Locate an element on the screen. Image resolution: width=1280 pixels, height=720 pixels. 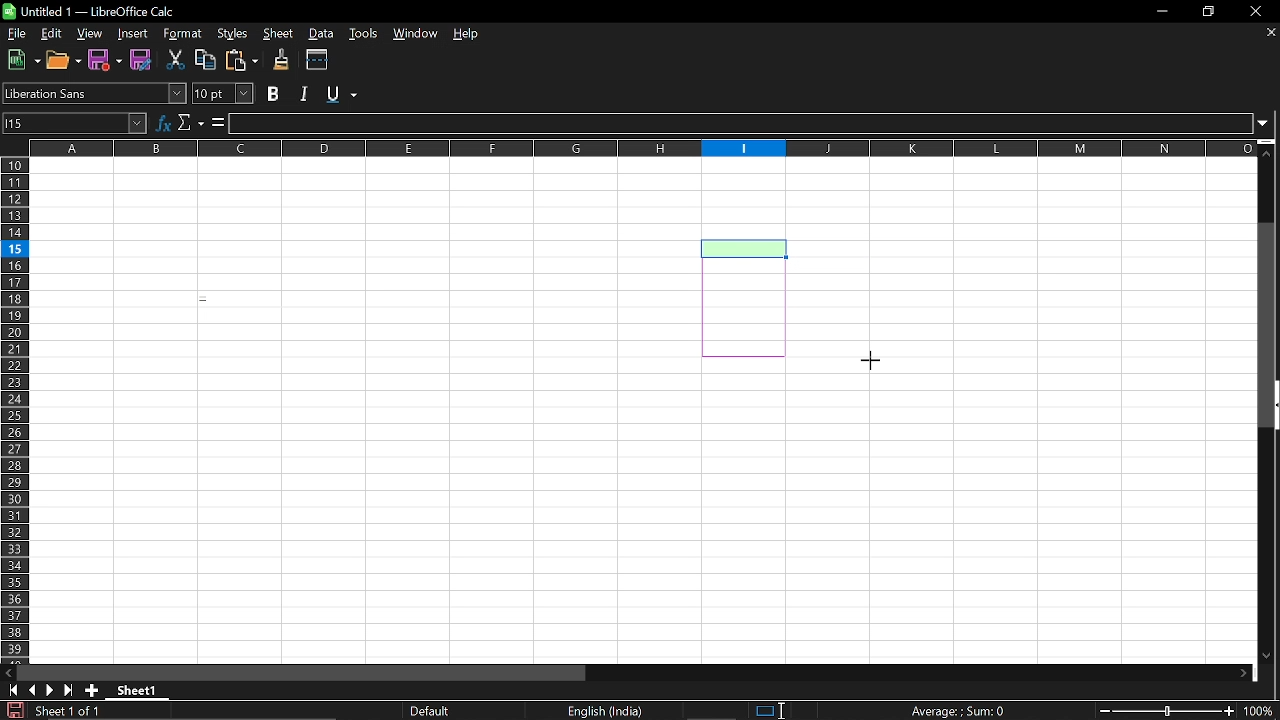
Format is located at coordinates (181, 34).